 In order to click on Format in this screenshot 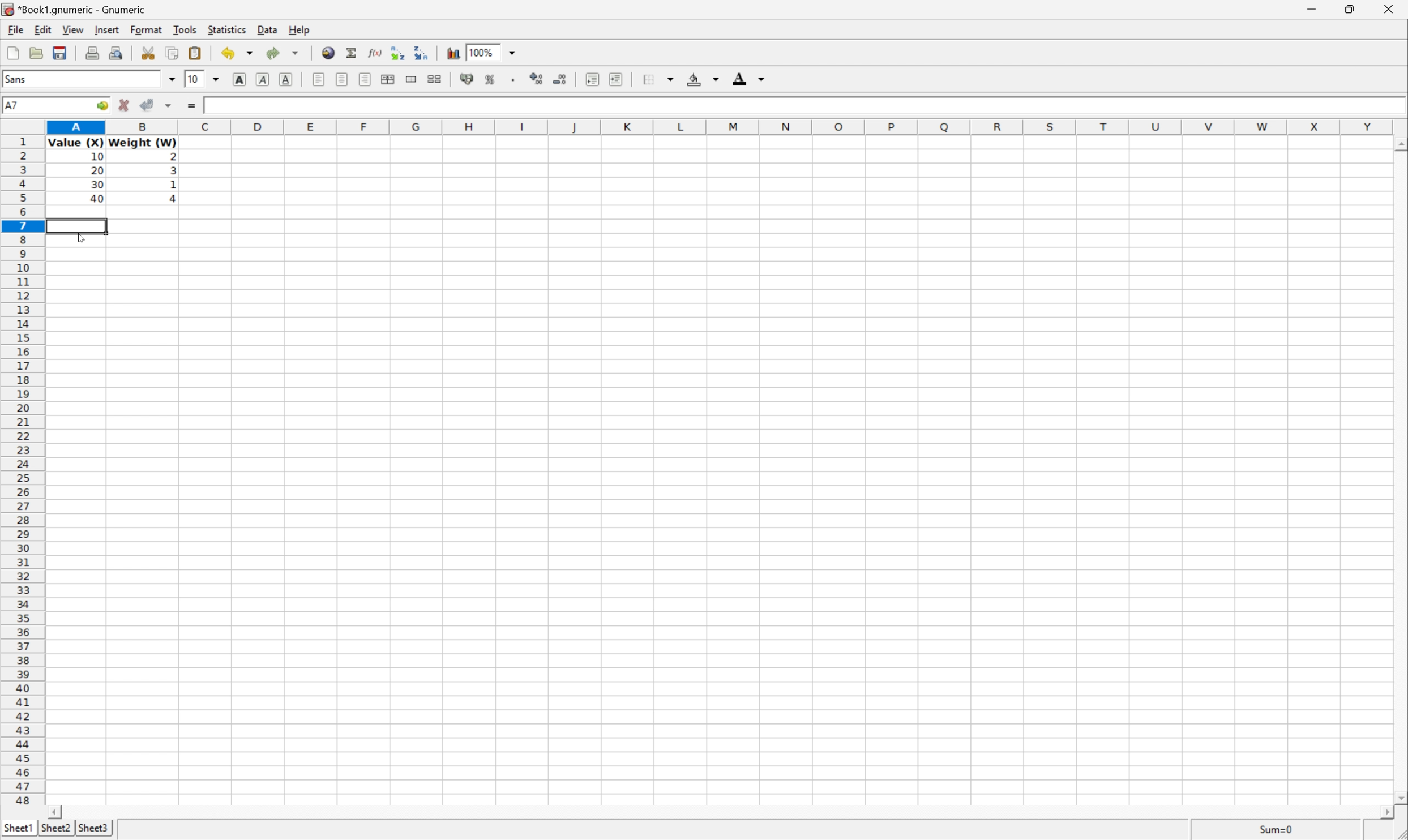, I will do `click(146, 30)`.